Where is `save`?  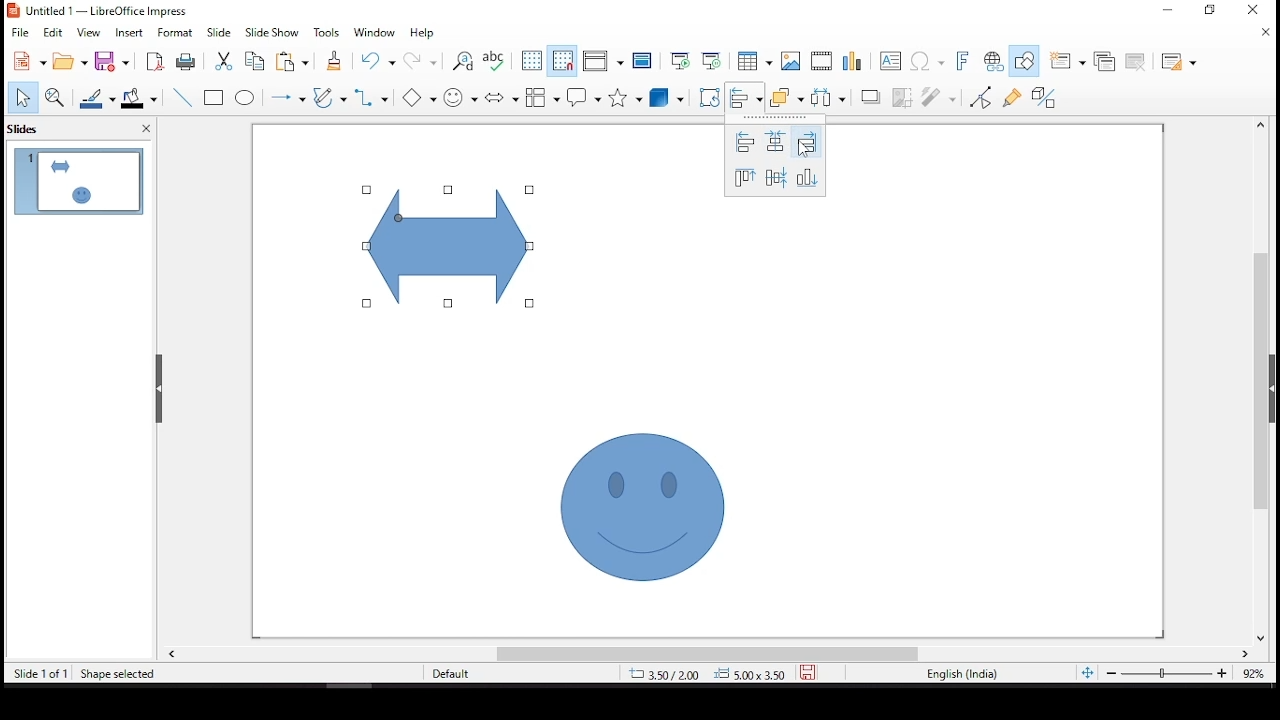 save is located at coordinates (808, 673).